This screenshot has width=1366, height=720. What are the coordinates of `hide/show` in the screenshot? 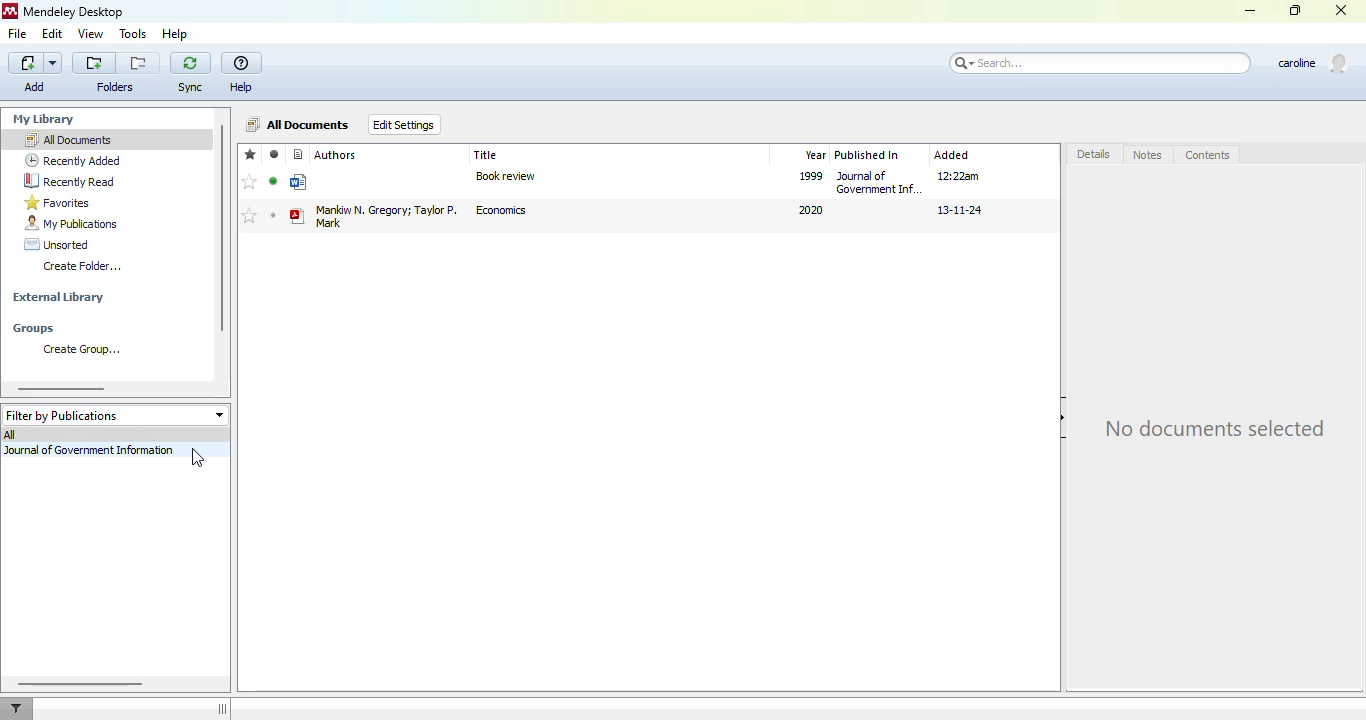 It's located at (222, 709).